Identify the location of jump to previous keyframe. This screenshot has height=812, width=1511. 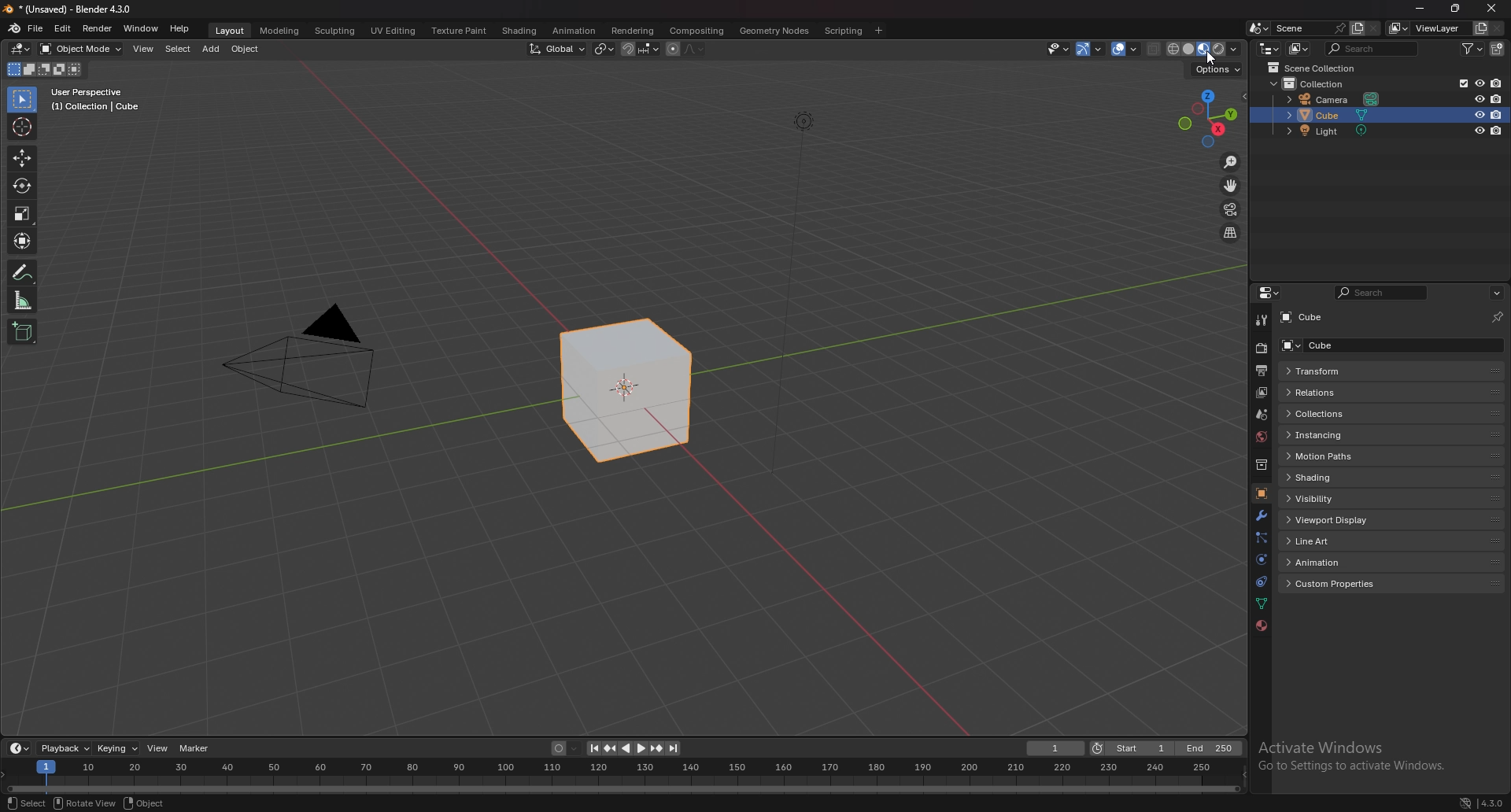
(610, 749).